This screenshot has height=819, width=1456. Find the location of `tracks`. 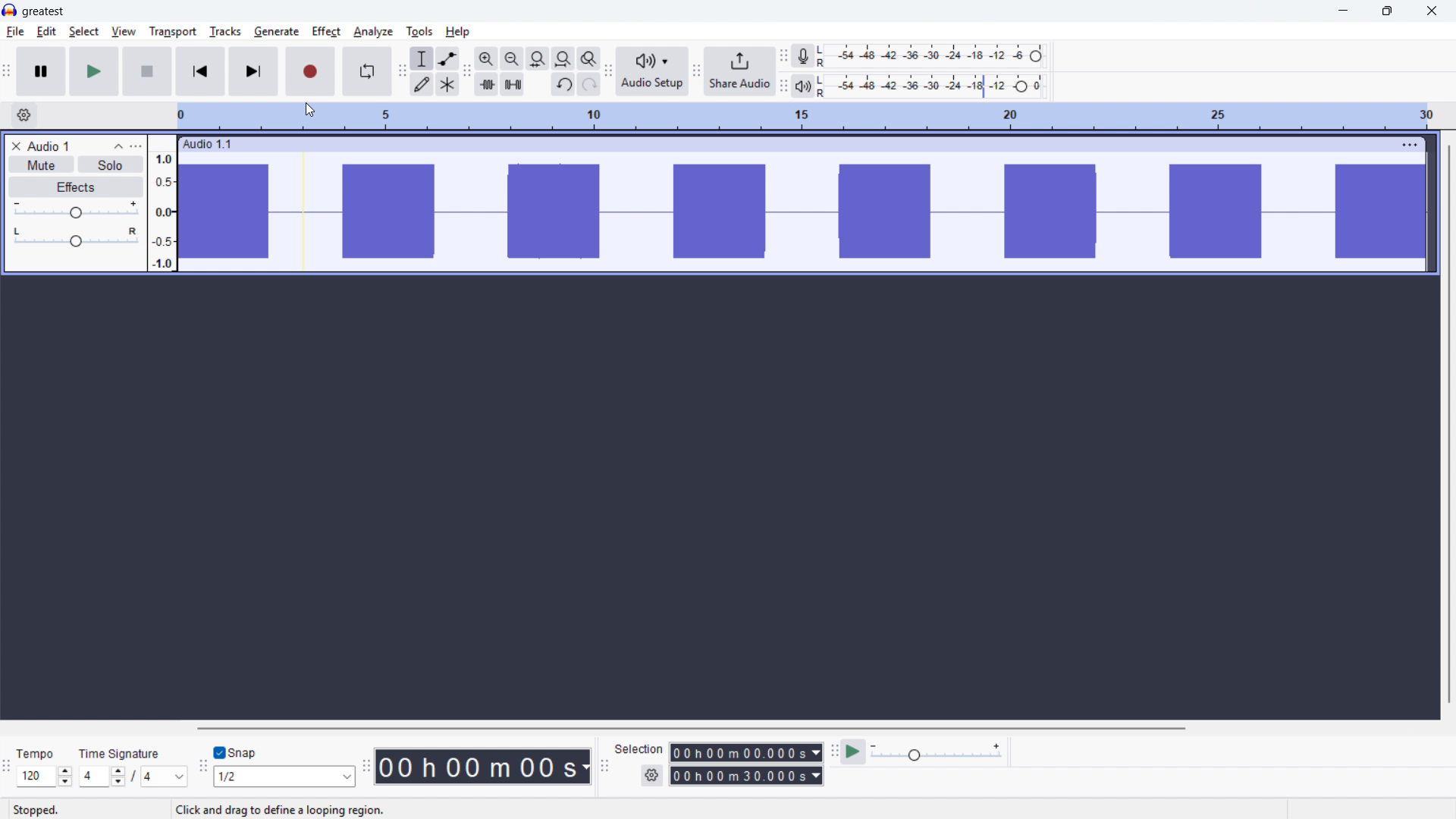

tracks is located at coordinates (224, 31).